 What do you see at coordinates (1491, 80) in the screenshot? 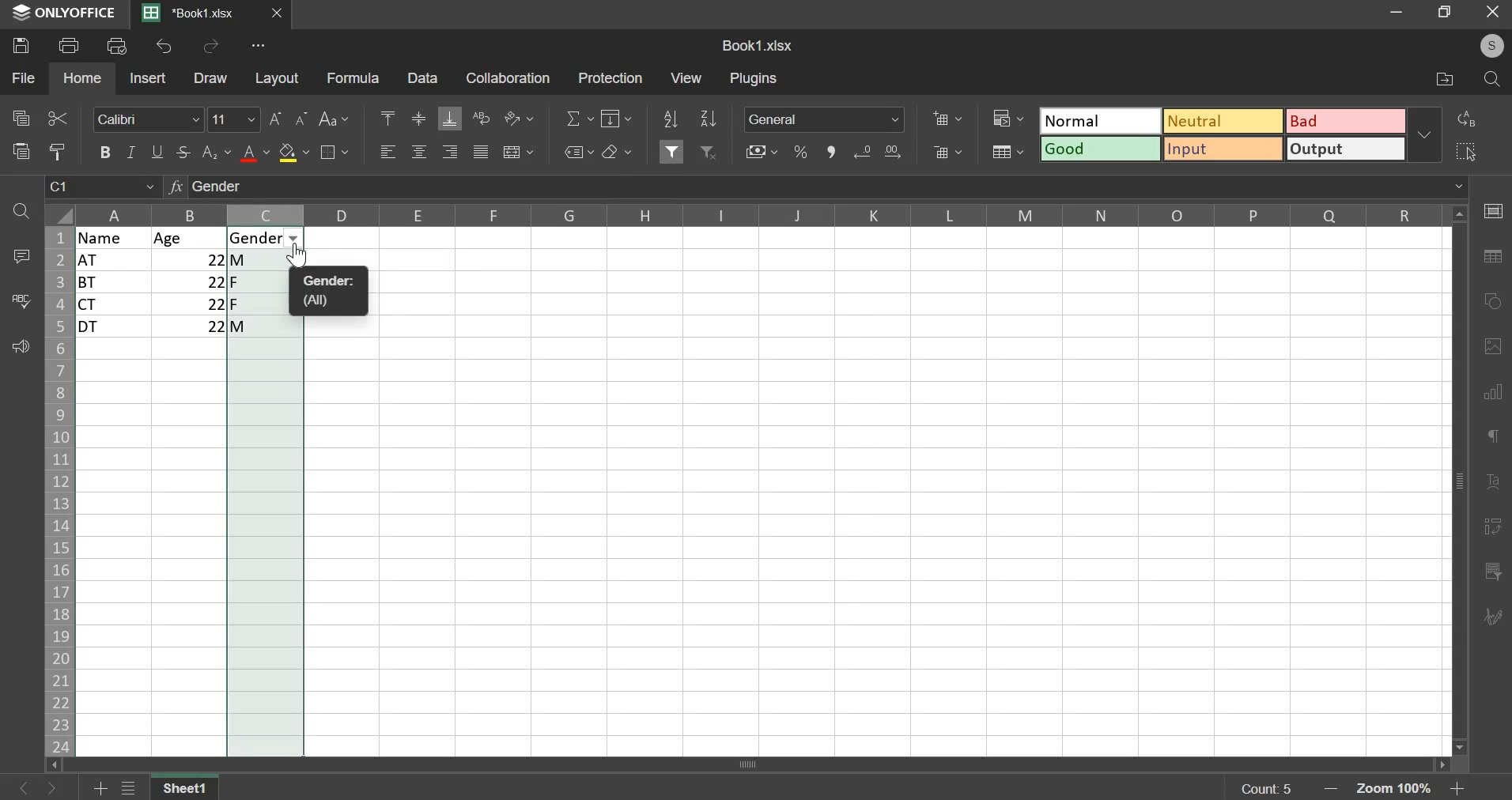
I see `find` at bounding box center [1491, 80].